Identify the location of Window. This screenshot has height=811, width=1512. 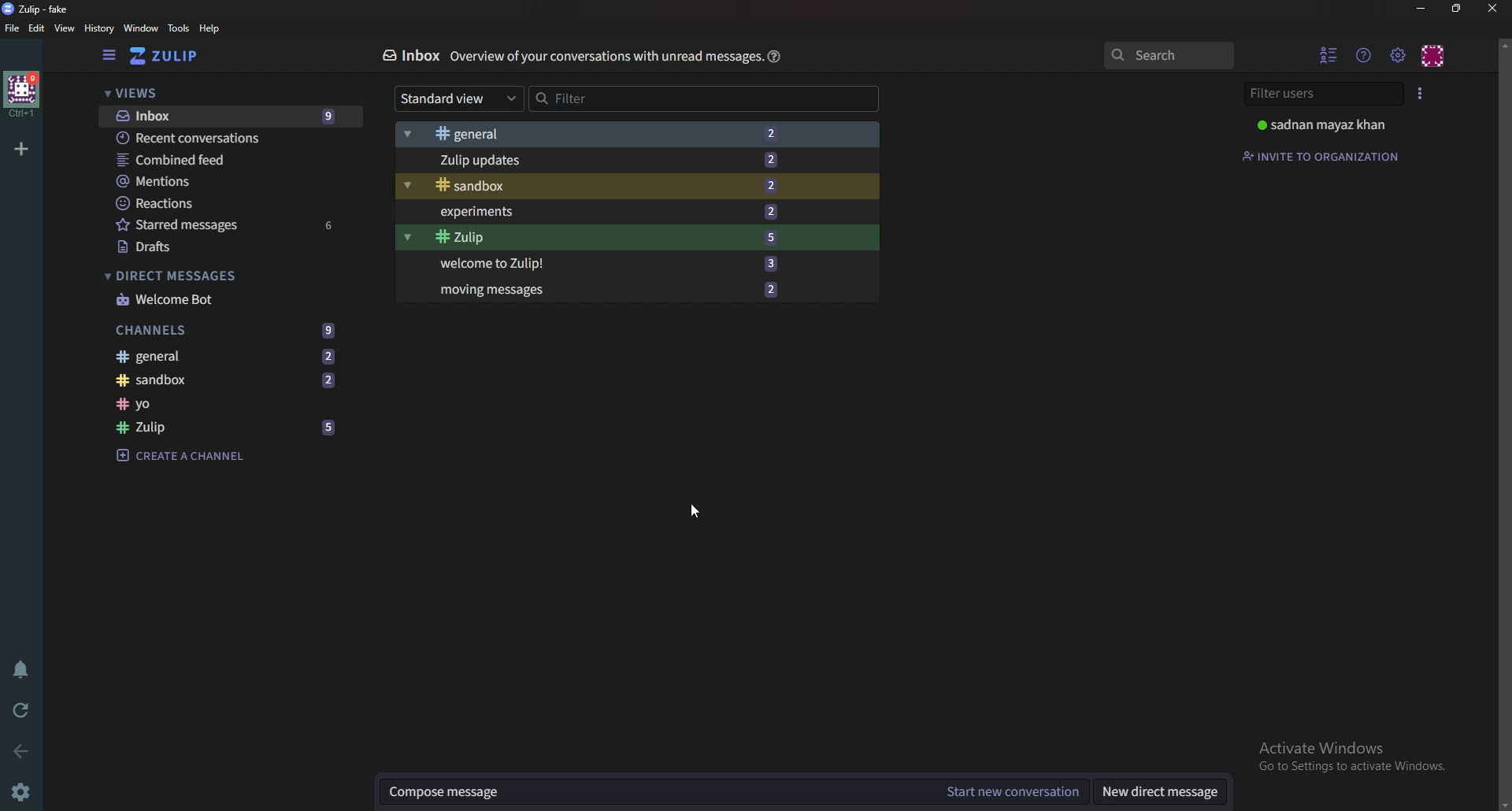
(141, 28).